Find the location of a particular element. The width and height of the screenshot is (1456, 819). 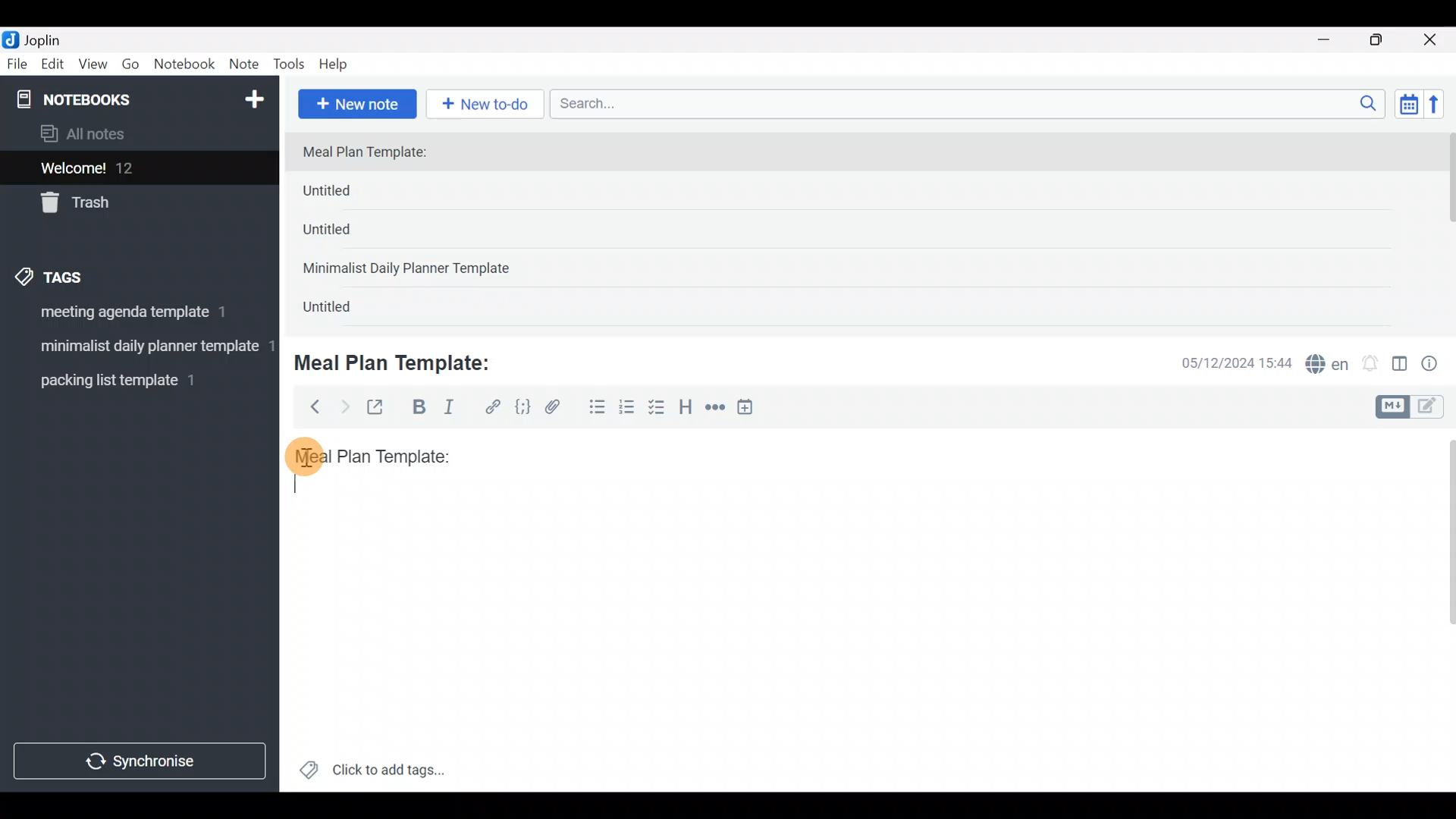

Tag 1 is located at coordinates (135, 316).